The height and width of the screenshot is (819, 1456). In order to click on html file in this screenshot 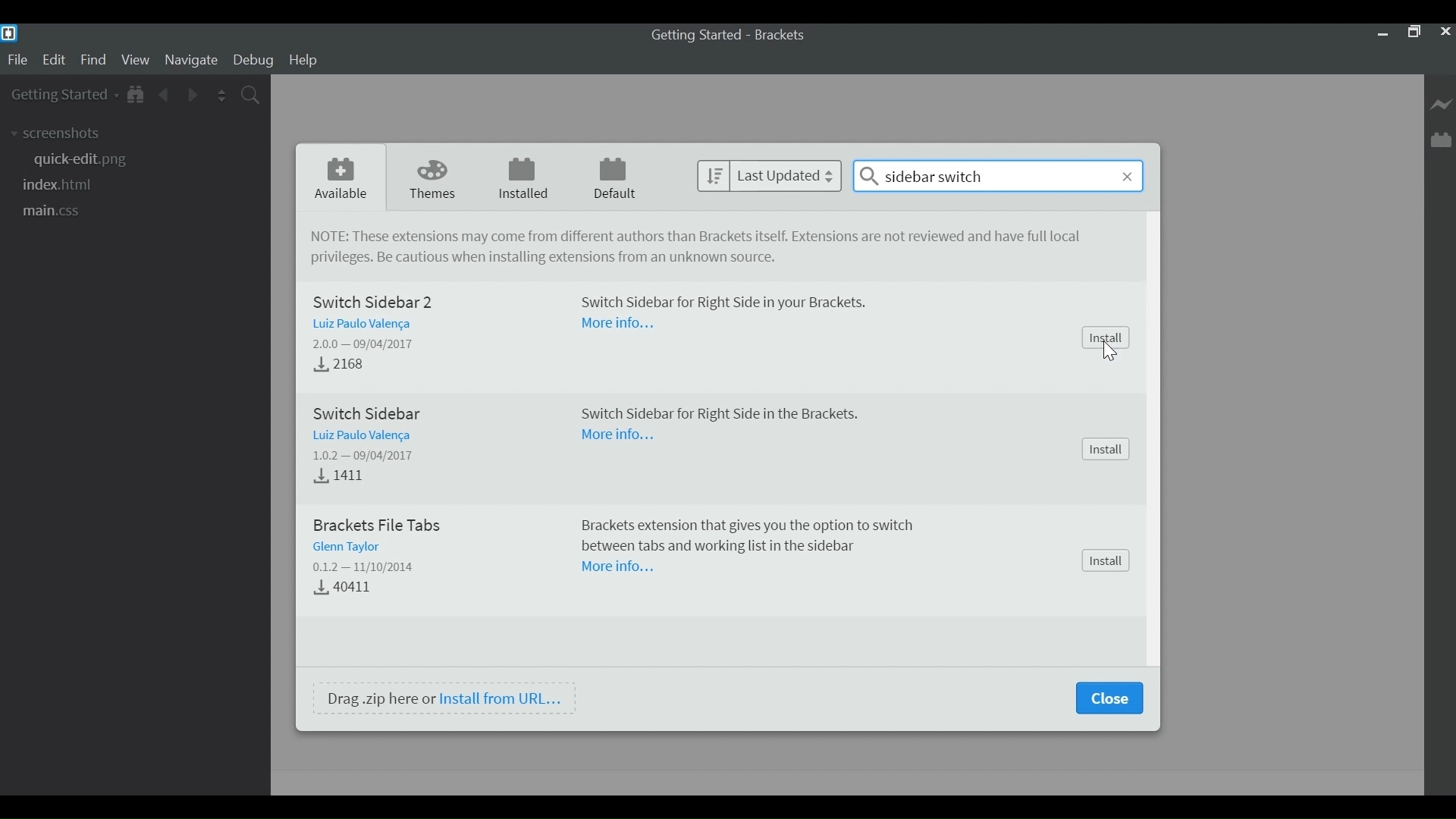, I will do `click(60, 186)`.